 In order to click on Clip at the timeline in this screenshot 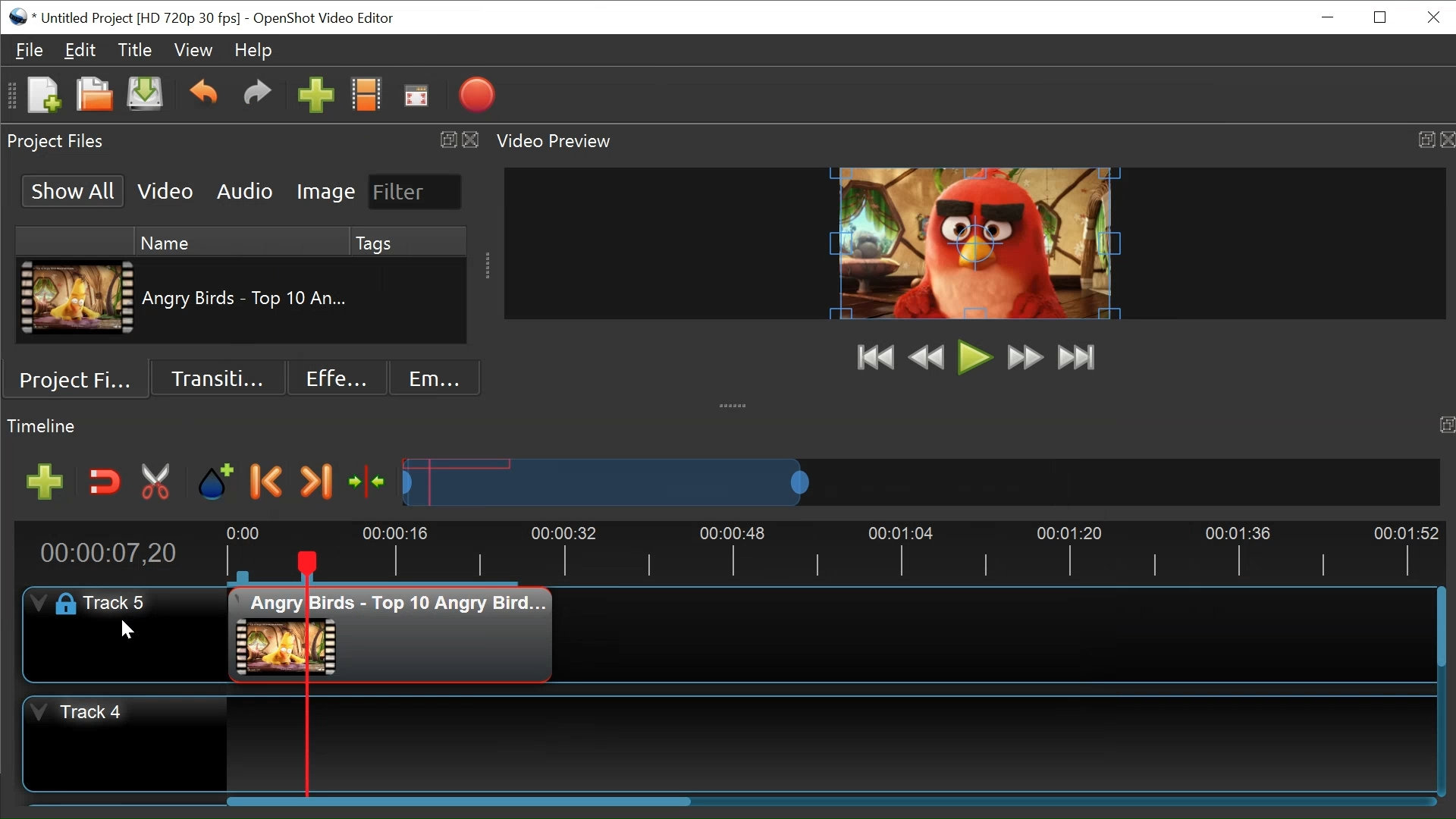, I will do `click(392, 635)`.